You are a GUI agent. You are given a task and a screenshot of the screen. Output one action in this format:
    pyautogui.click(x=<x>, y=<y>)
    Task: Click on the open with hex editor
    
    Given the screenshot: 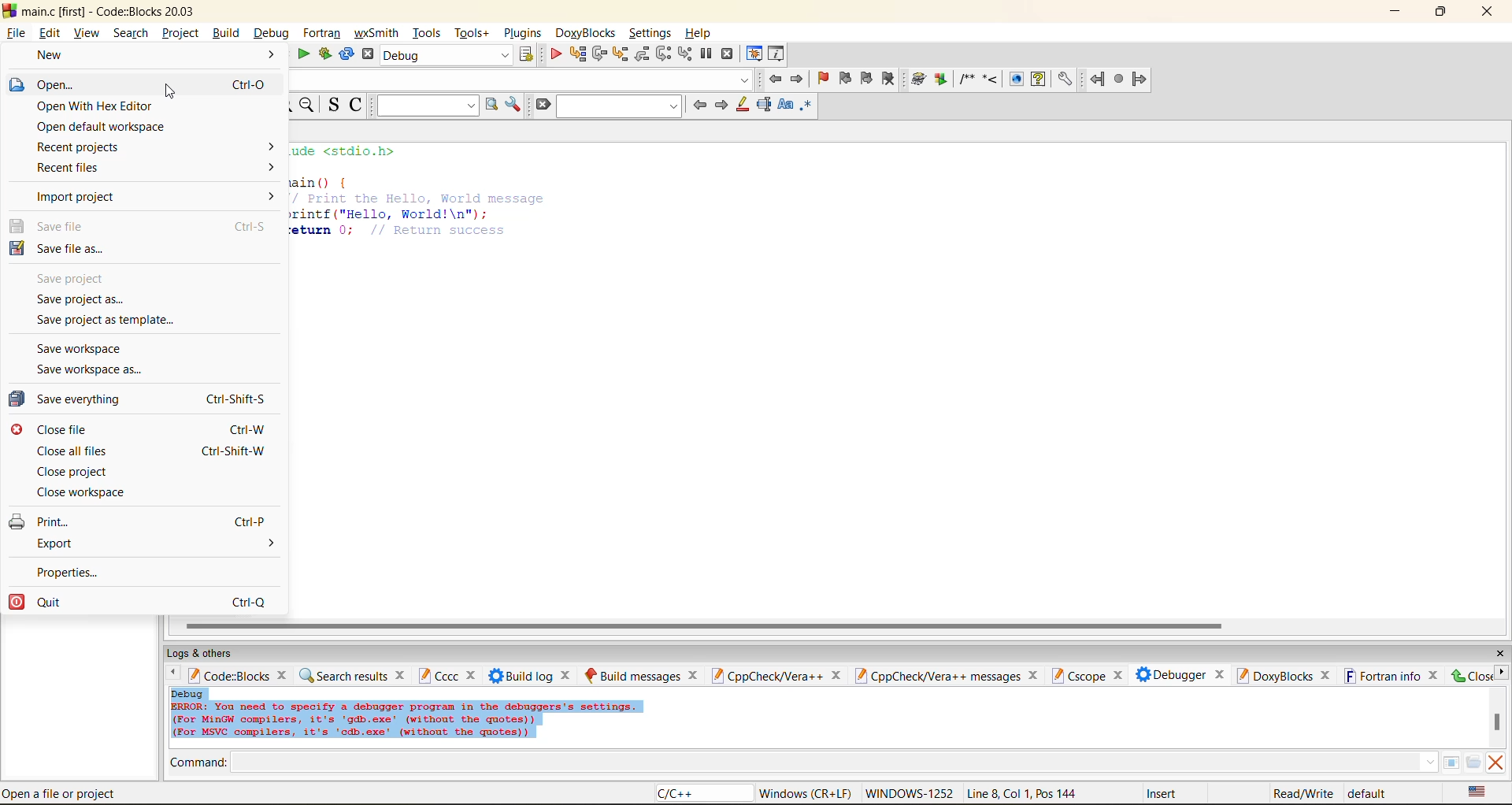 What is the action you would take?
    pyautogui.click(x=150, y=107)
    